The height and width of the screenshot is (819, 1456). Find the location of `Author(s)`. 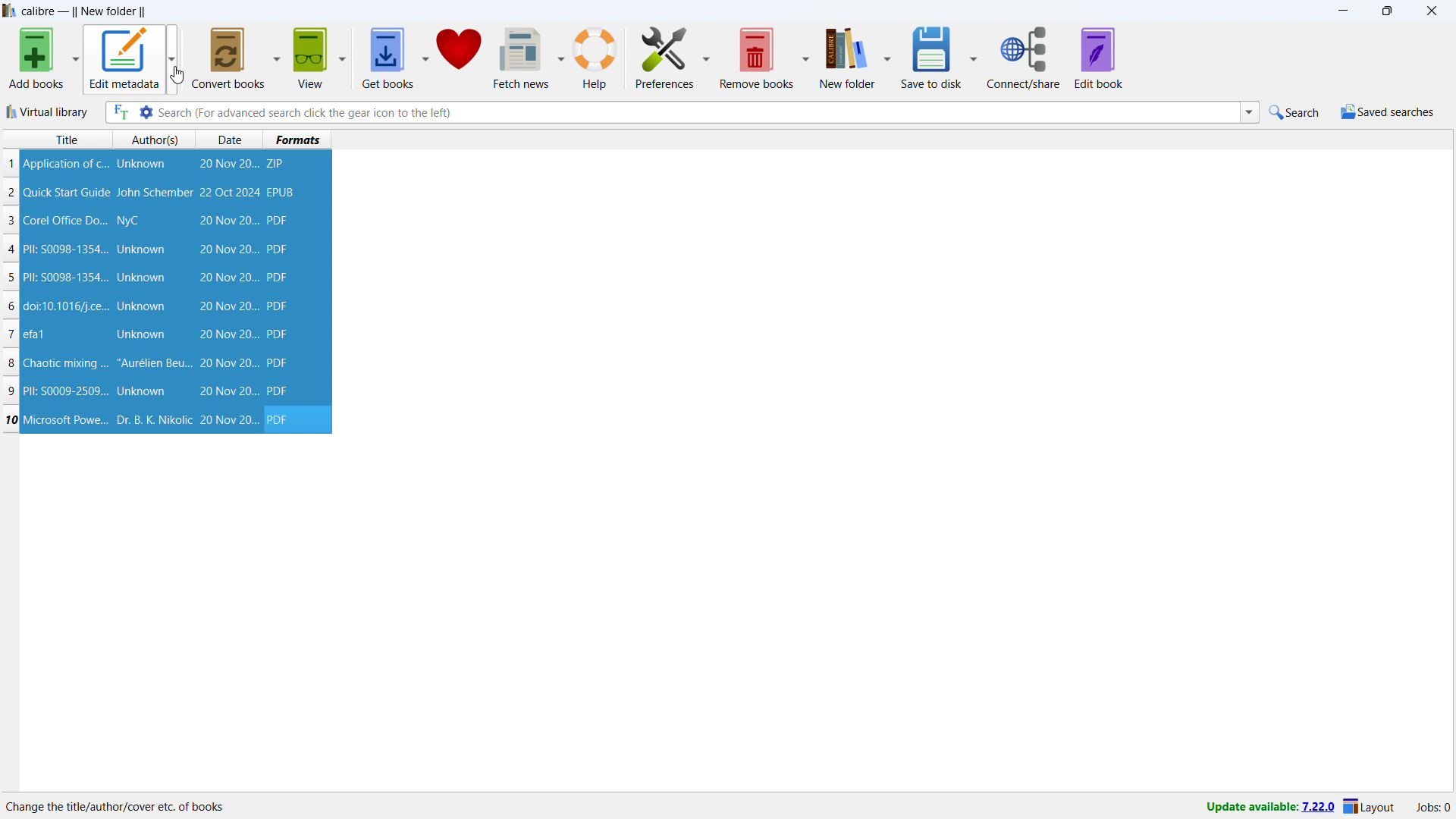

Author(s) is located at coordinates (155, 140).